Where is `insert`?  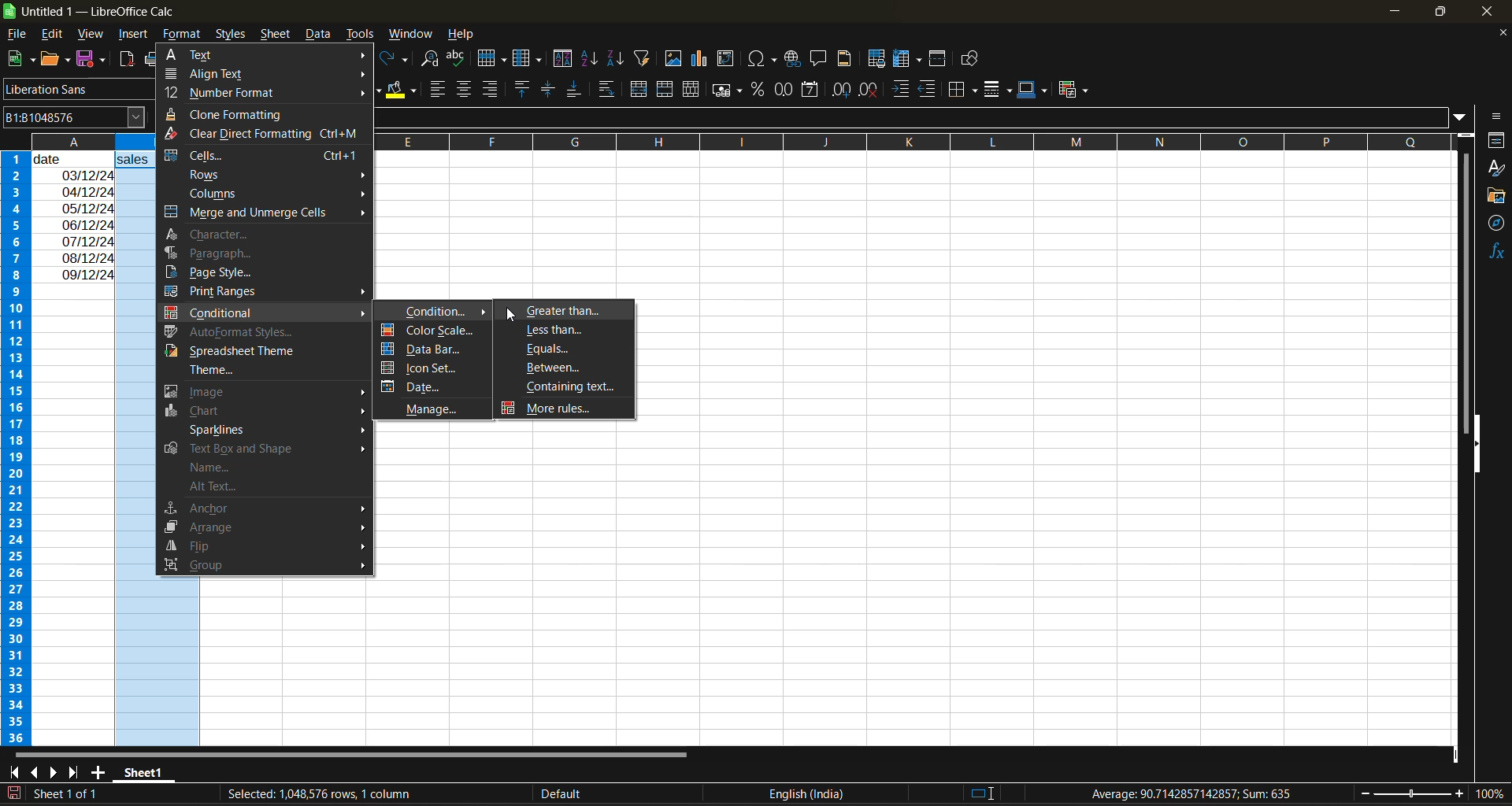
insert is located at coordinates (137, 35).